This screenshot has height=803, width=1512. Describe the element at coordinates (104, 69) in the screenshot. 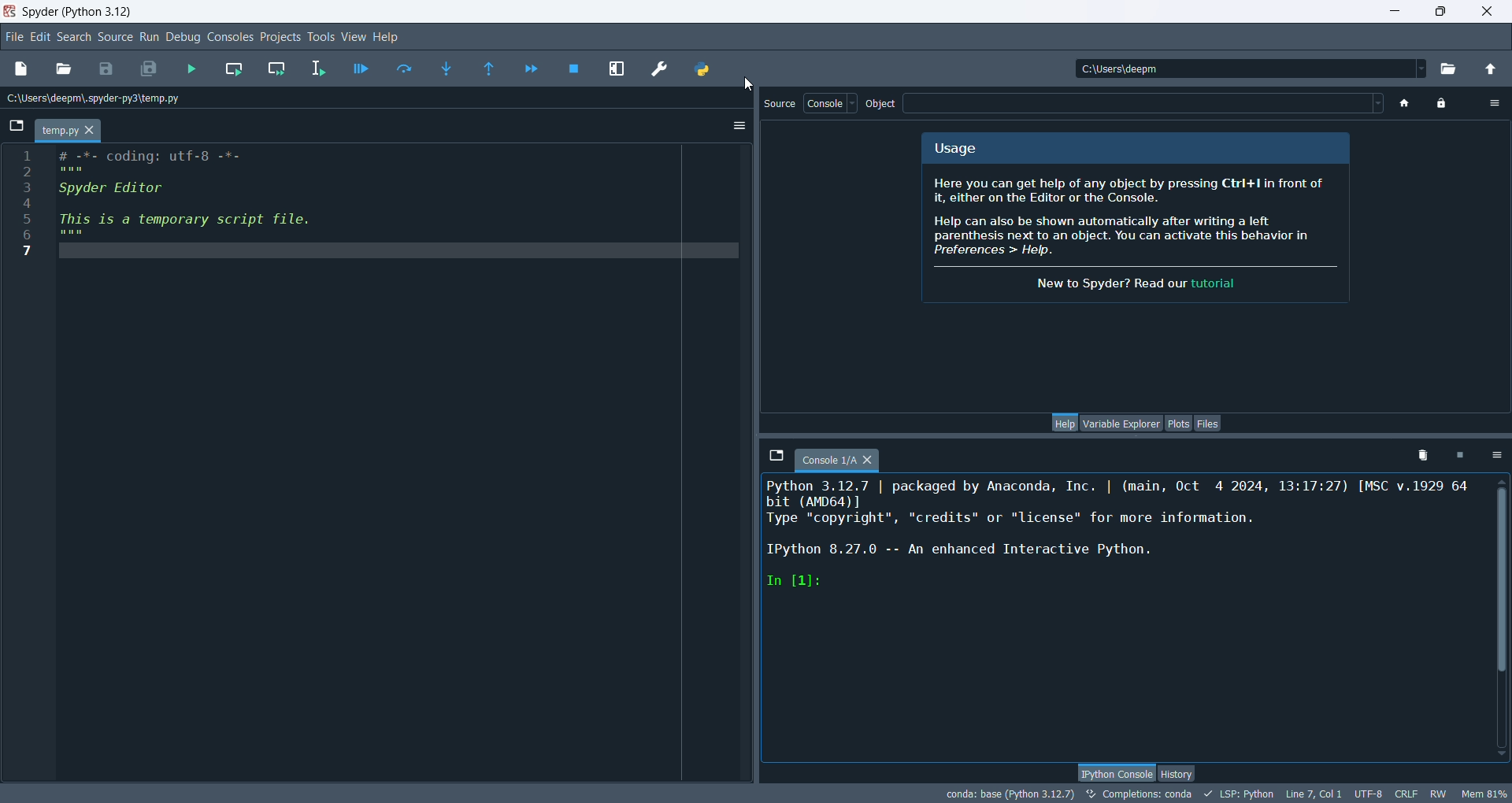

I see `save` at that location.